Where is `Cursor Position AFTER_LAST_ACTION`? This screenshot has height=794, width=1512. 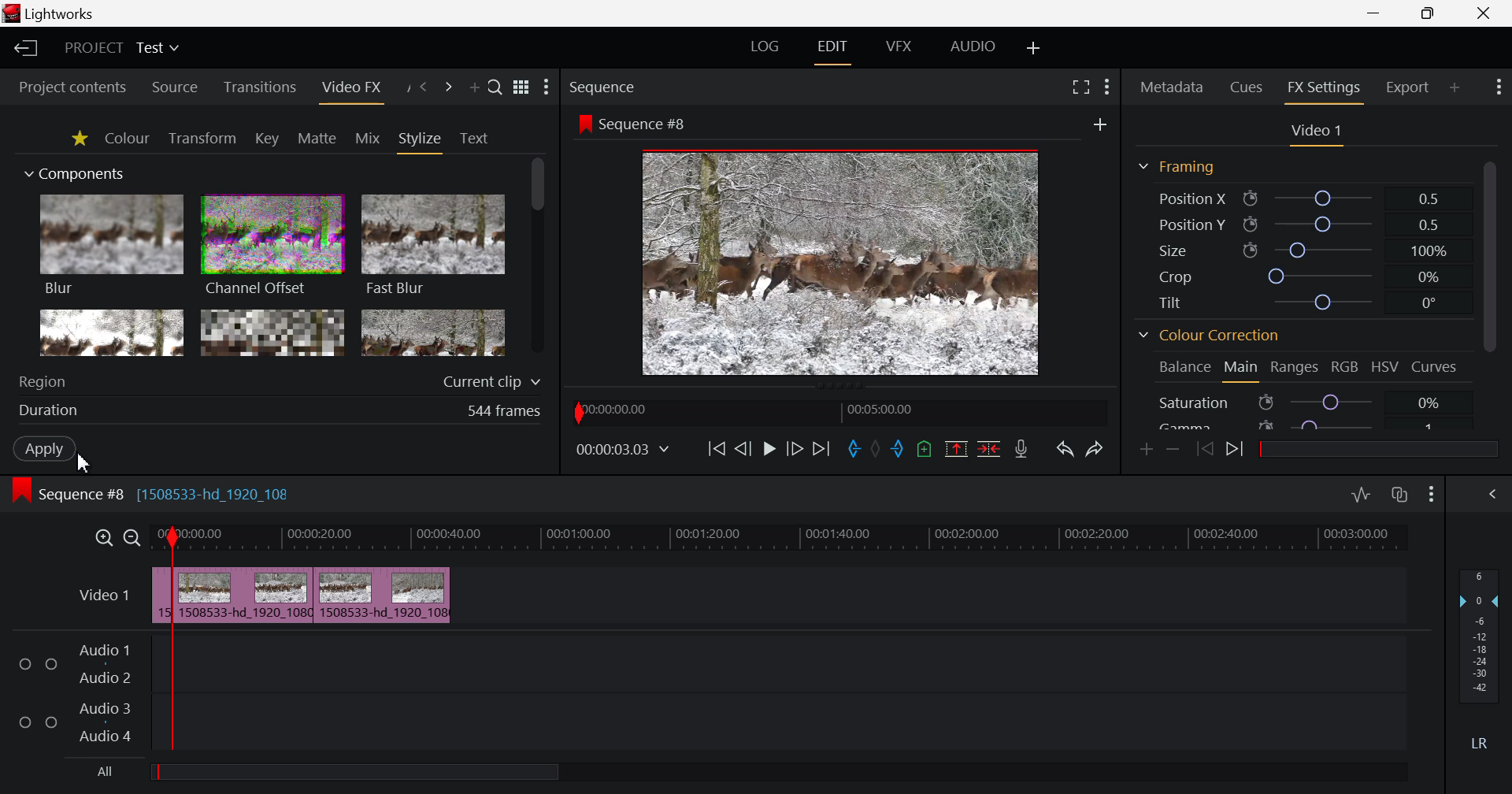 Cursor Position AFTER_LAST_ACTION is located at coordinates (81, 464).